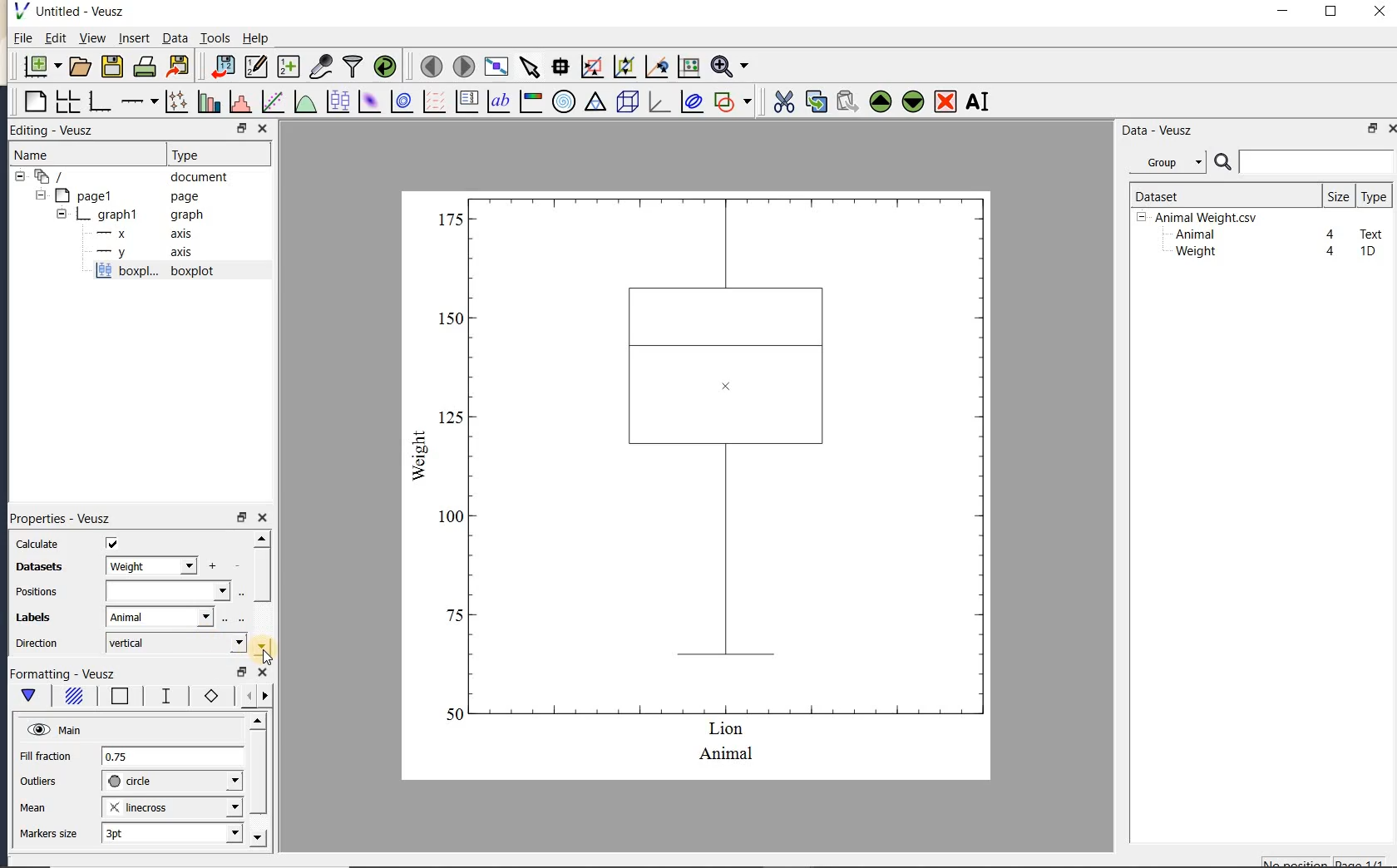 This screenshot has height=868, width=1397. Describe the element at coordinates (1172, 163) in the screenshot. I see `Data - Veusz` at that location.